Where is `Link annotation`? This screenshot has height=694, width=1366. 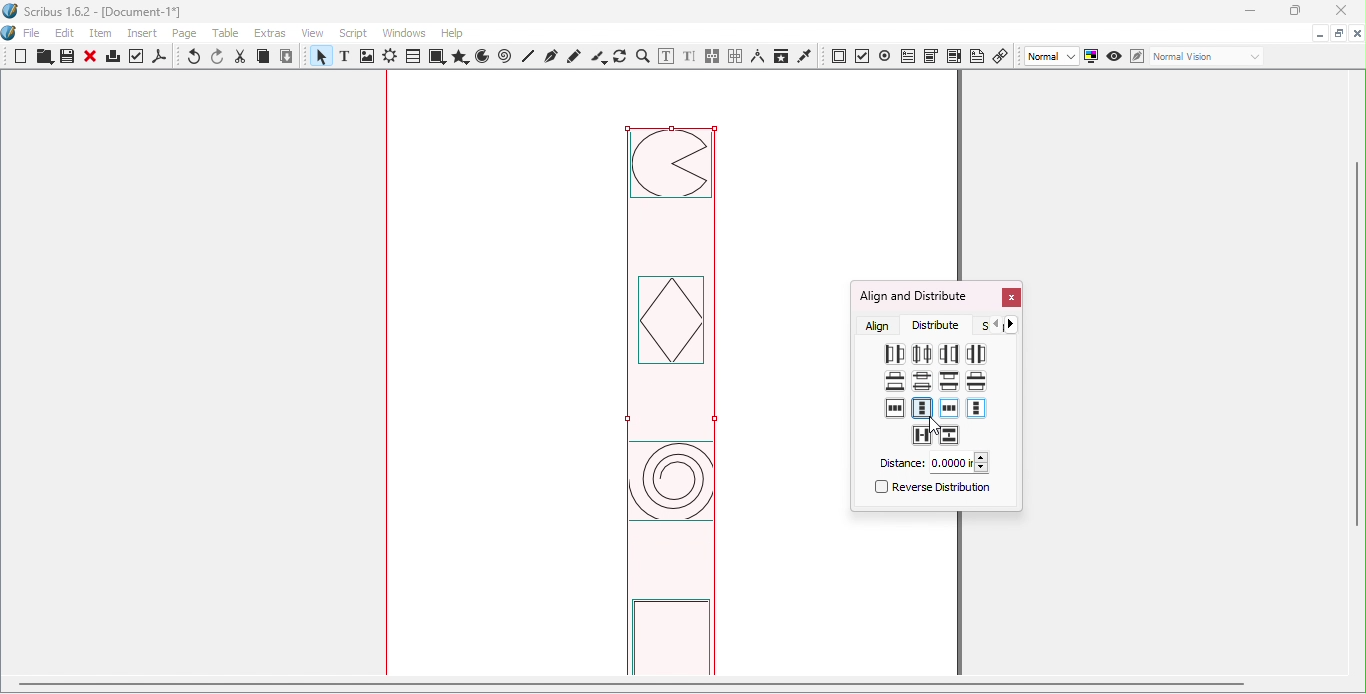 Link annotation is located at coordinates (1002, 55).